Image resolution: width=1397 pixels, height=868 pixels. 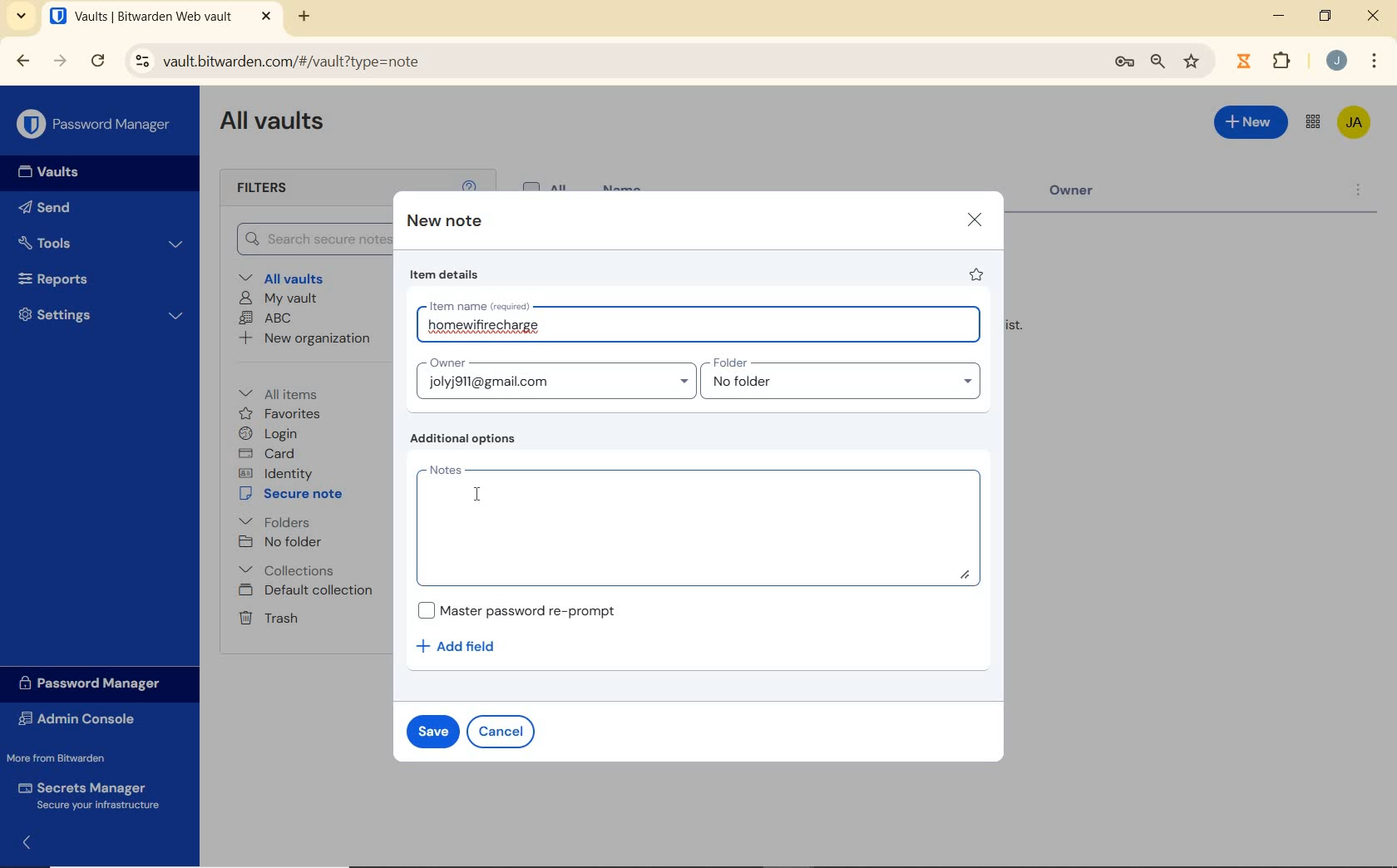 I want to click on No folder, so click(x=280, y=542).